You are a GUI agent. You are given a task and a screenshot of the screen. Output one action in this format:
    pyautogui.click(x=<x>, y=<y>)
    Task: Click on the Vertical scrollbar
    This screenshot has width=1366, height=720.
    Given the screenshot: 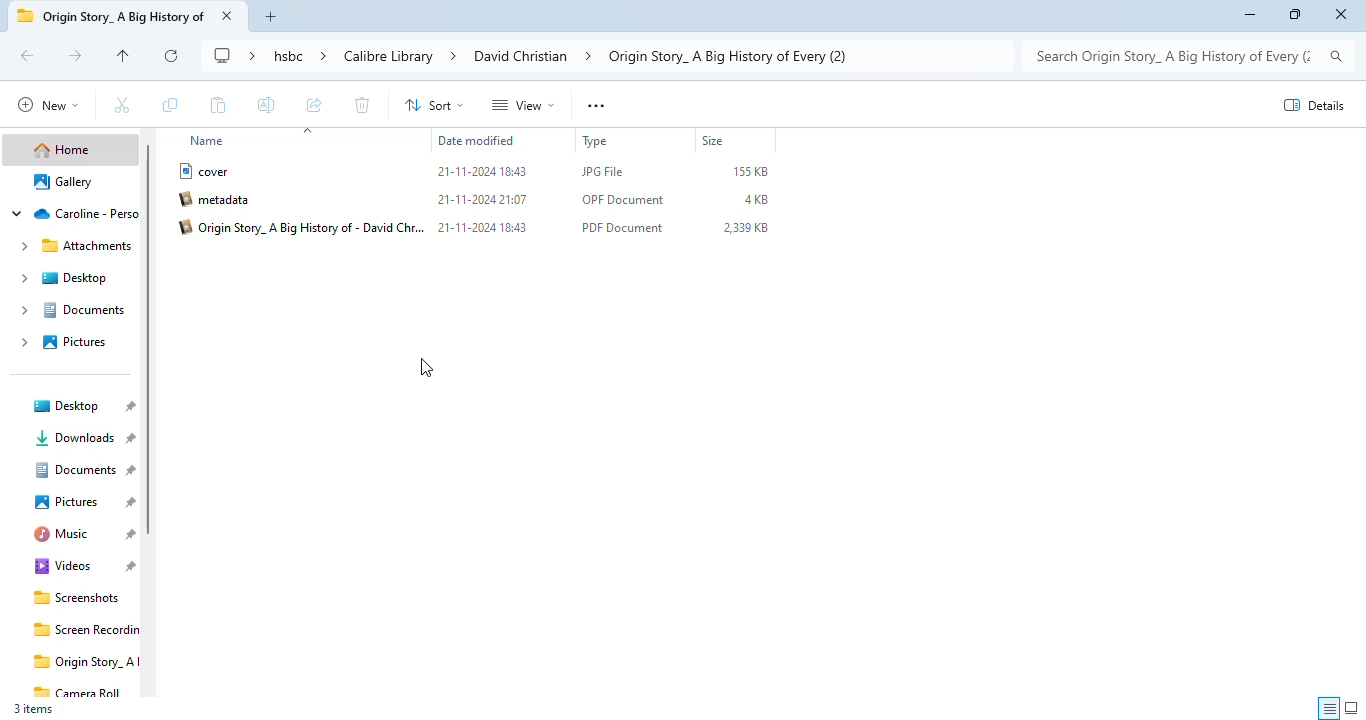 What is the action you would take?
    pyautogui.click(x=152, y=340)
    